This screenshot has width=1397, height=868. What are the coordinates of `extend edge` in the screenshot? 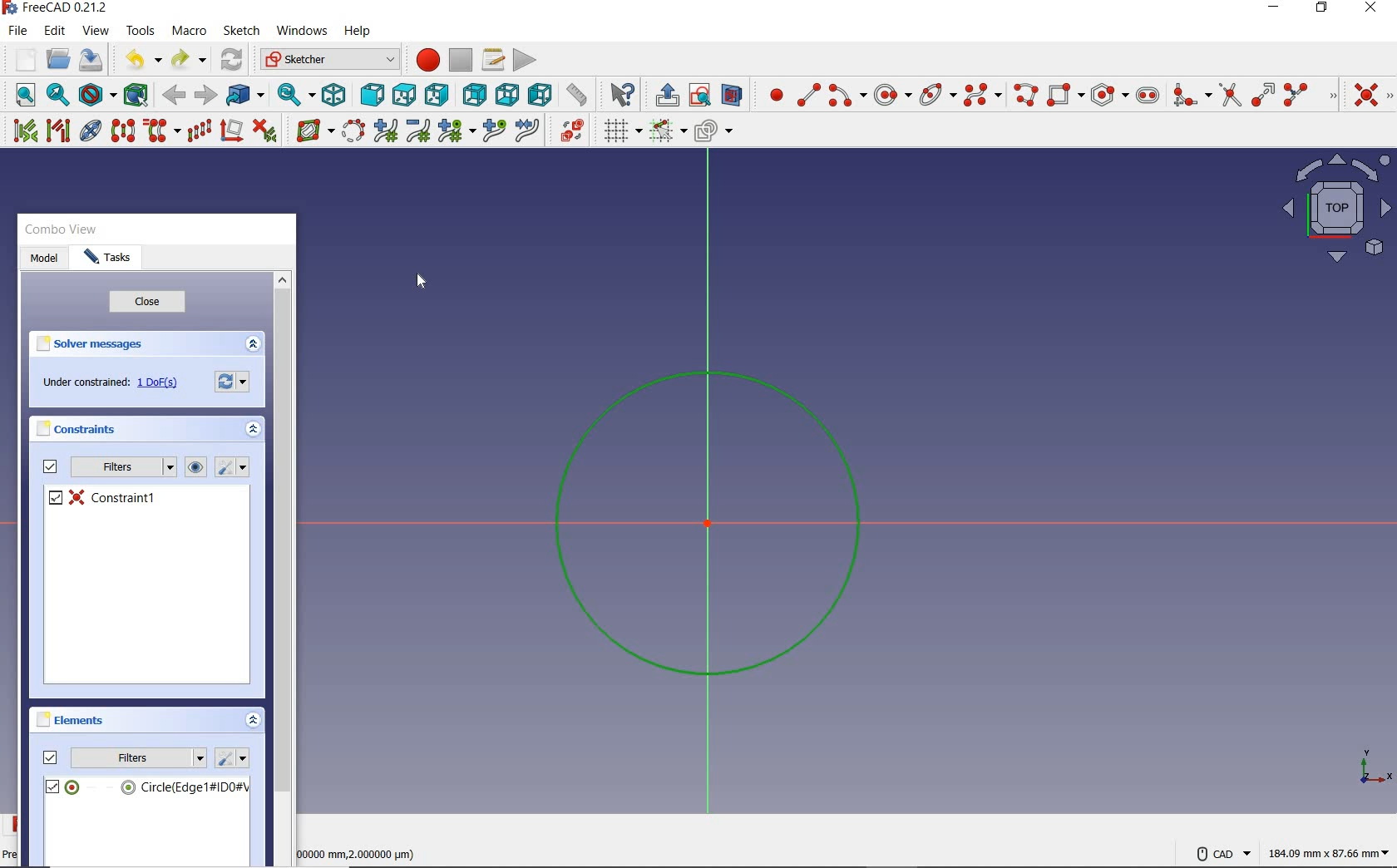 It's located at (1263, 93).